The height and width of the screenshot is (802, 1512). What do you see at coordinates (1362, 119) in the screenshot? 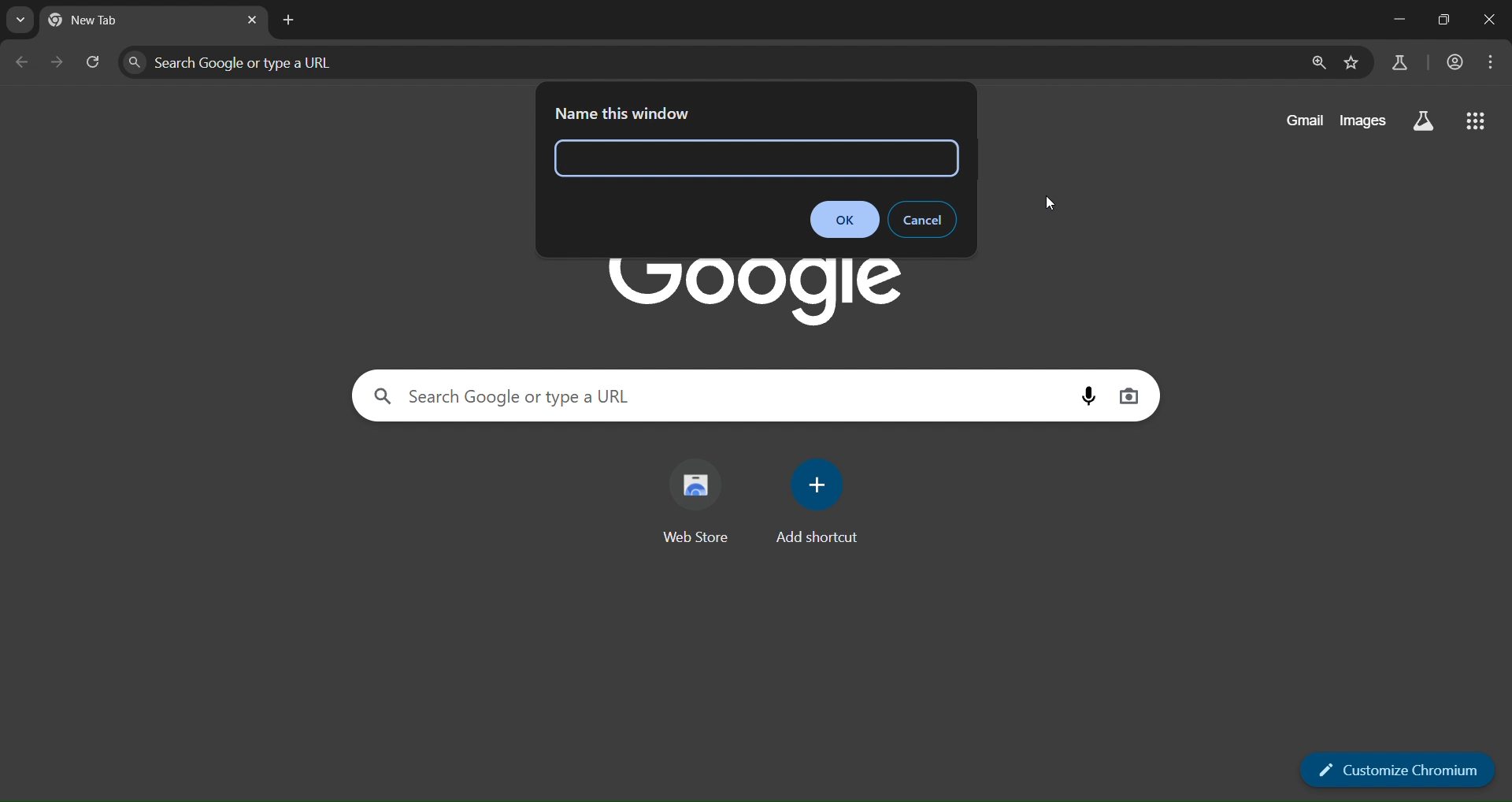
I see `images` at bounding box center [1362, 119].